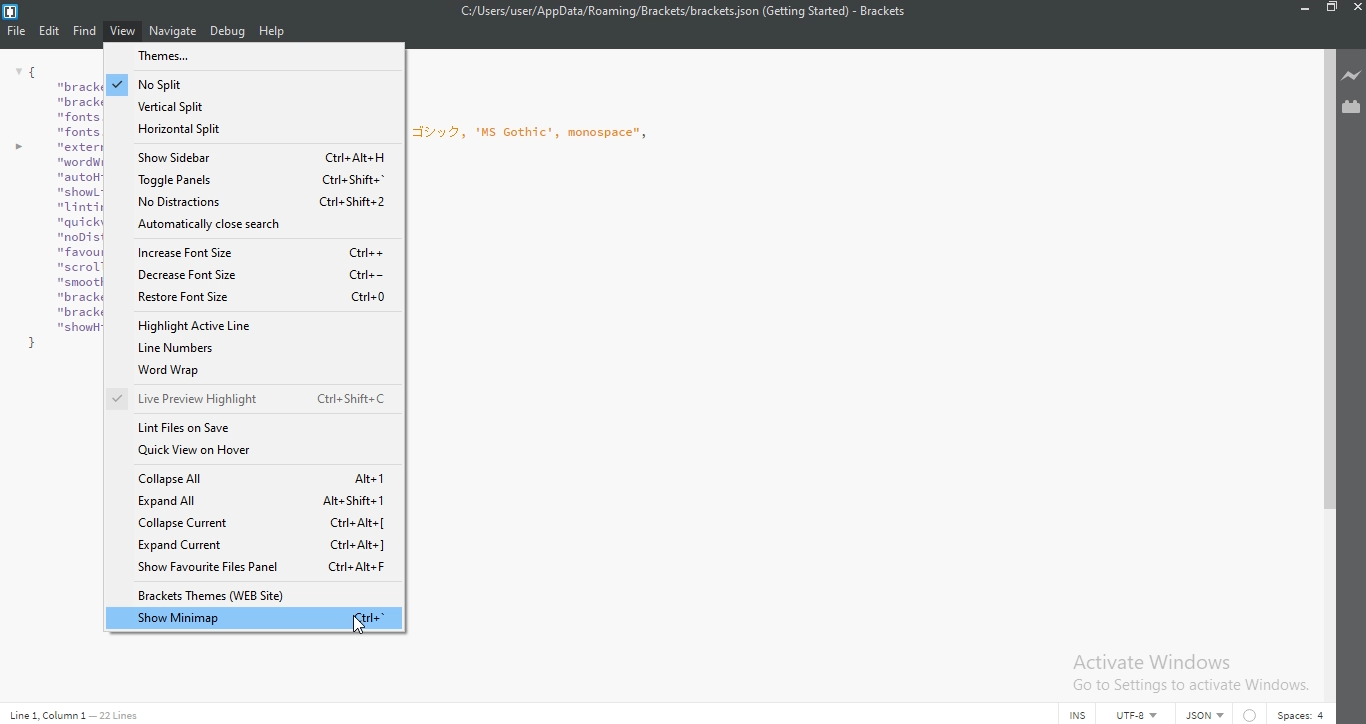 The height and width of the screenshot is (724, 1366). What do you see at coordinates (173, 31) in the screenshot?
I see `Navigate` at bounding box center [173, 31].